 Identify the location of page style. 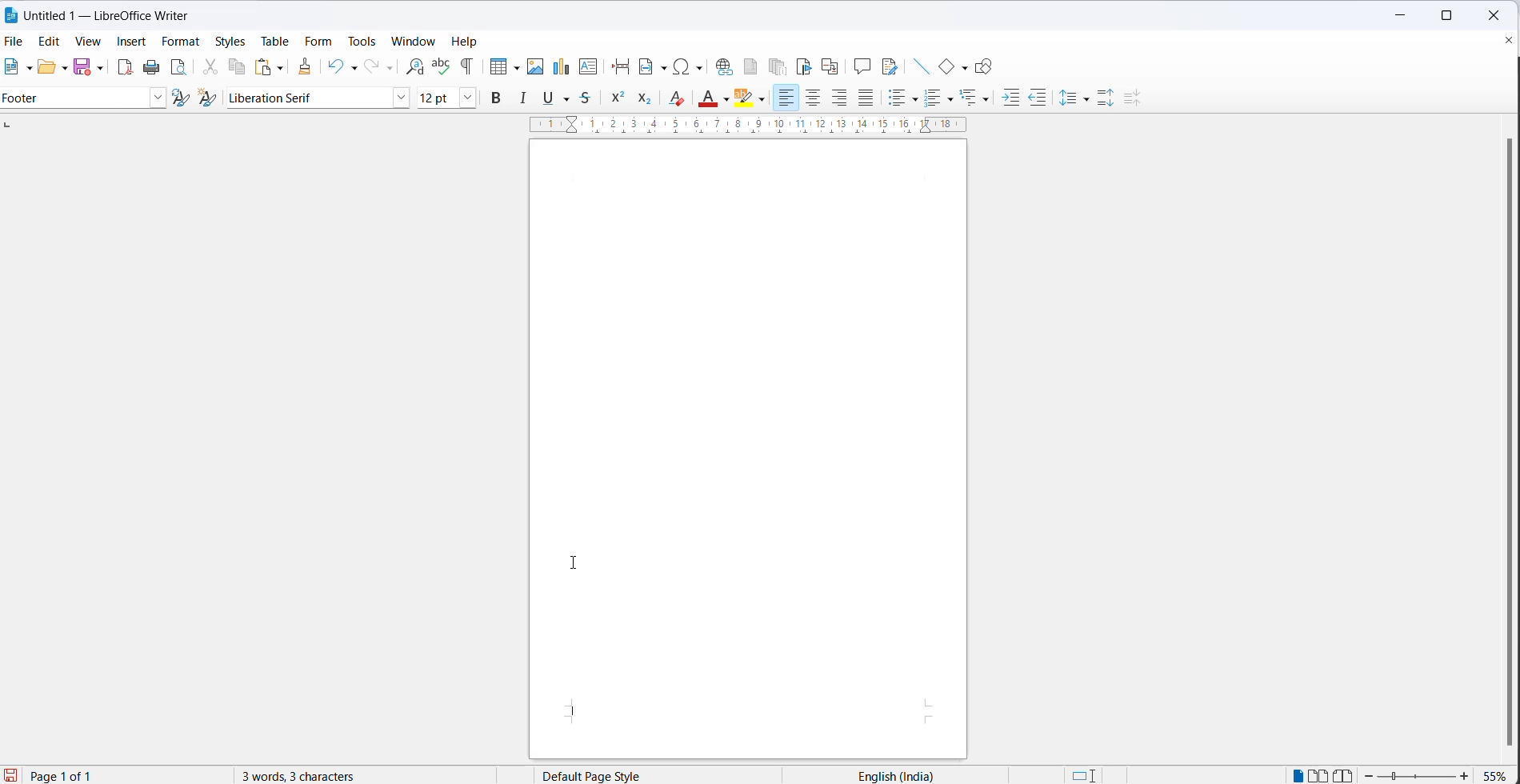
(625, 775).